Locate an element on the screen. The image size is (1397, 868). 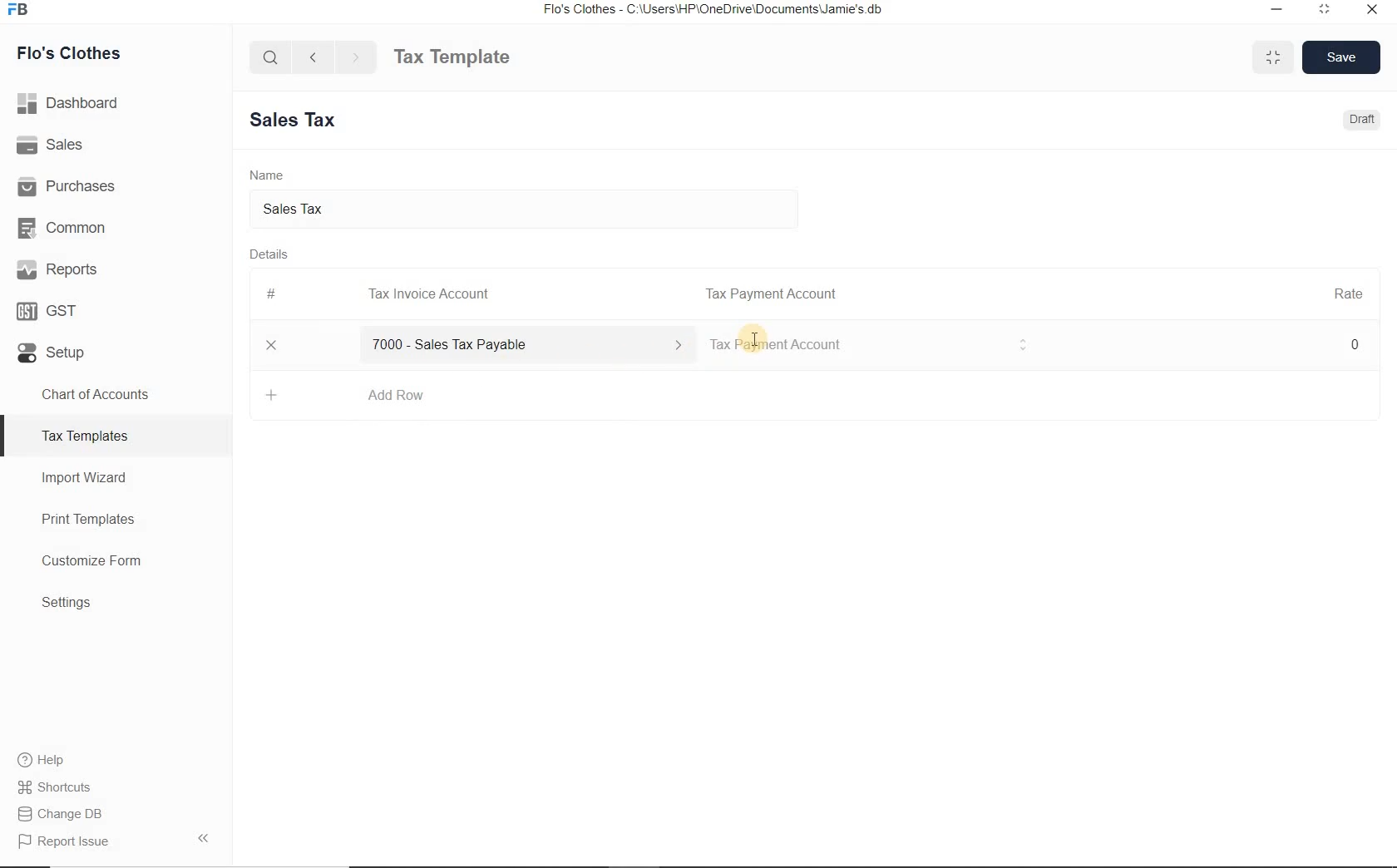
GST is located at coordinates (116, 308).